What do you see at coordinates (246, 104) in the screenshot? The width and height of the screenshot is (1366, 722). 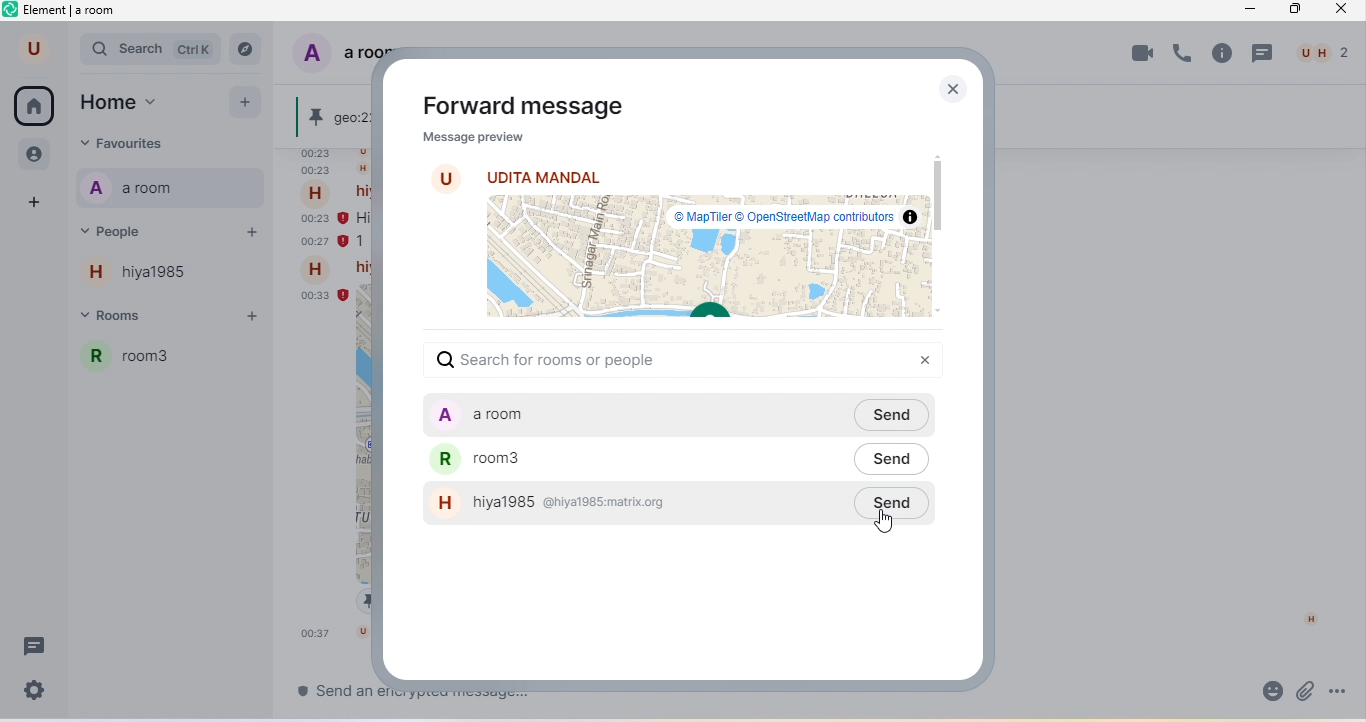 I see `add ` at bounding box center [246, 104].